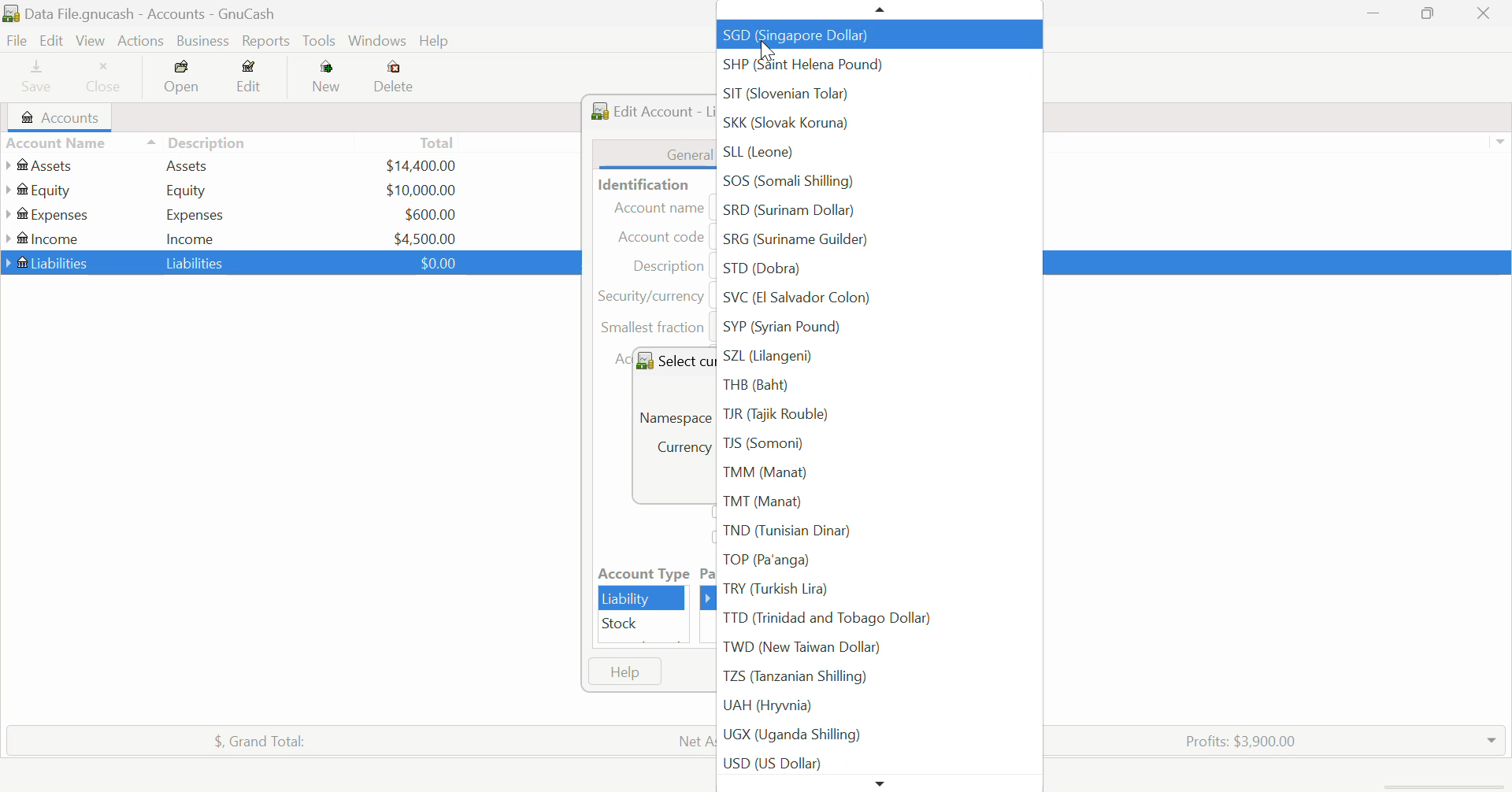 This screenshot has width=1512, height=792. I want to click on Account Column Heading, so click(60, 144).